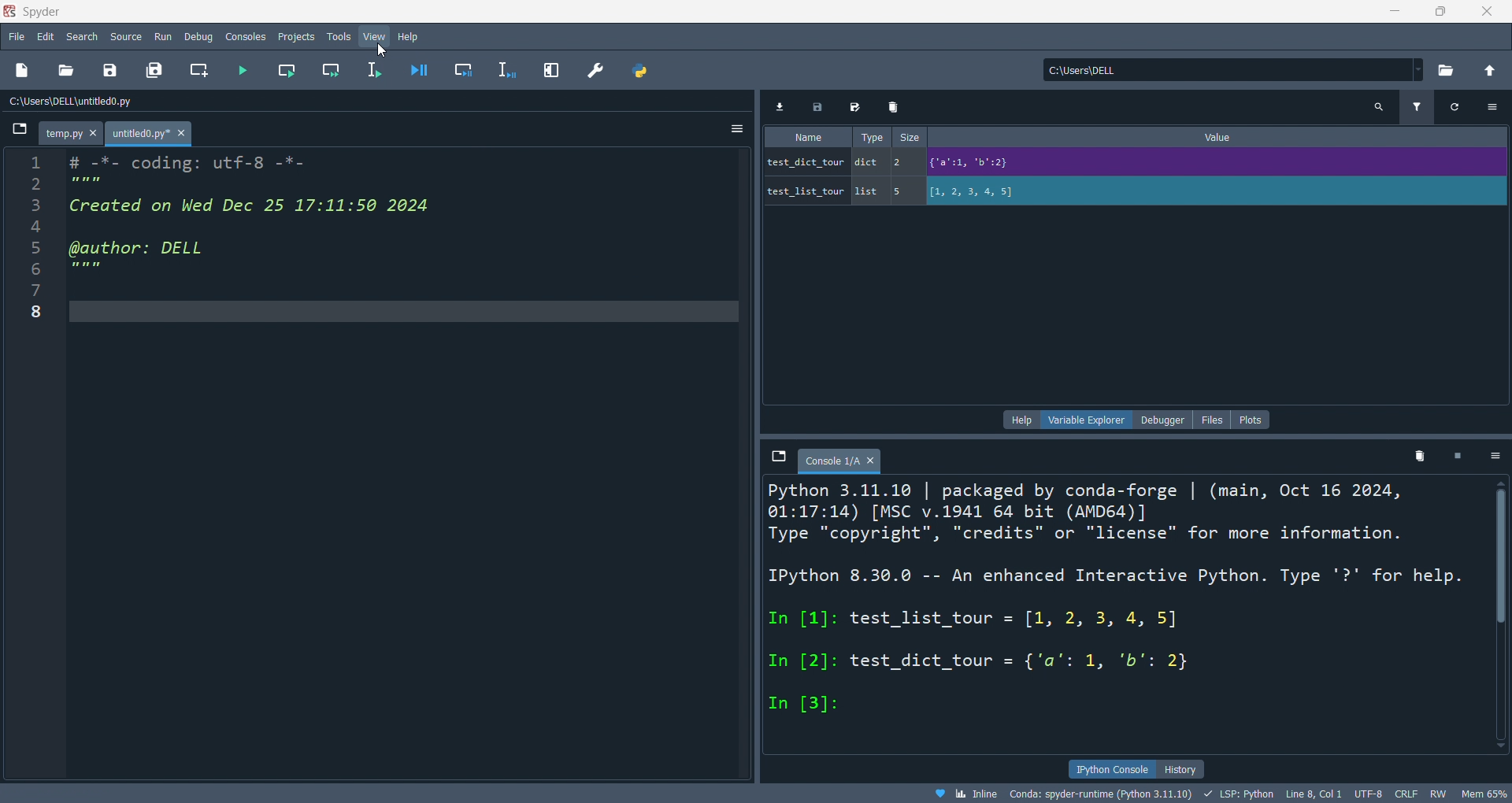 Image resolution: width=1512 pixels, height=803 pixels. Describe the element at coordinates (909, 165) in the screenshot. I see `size` at that location.